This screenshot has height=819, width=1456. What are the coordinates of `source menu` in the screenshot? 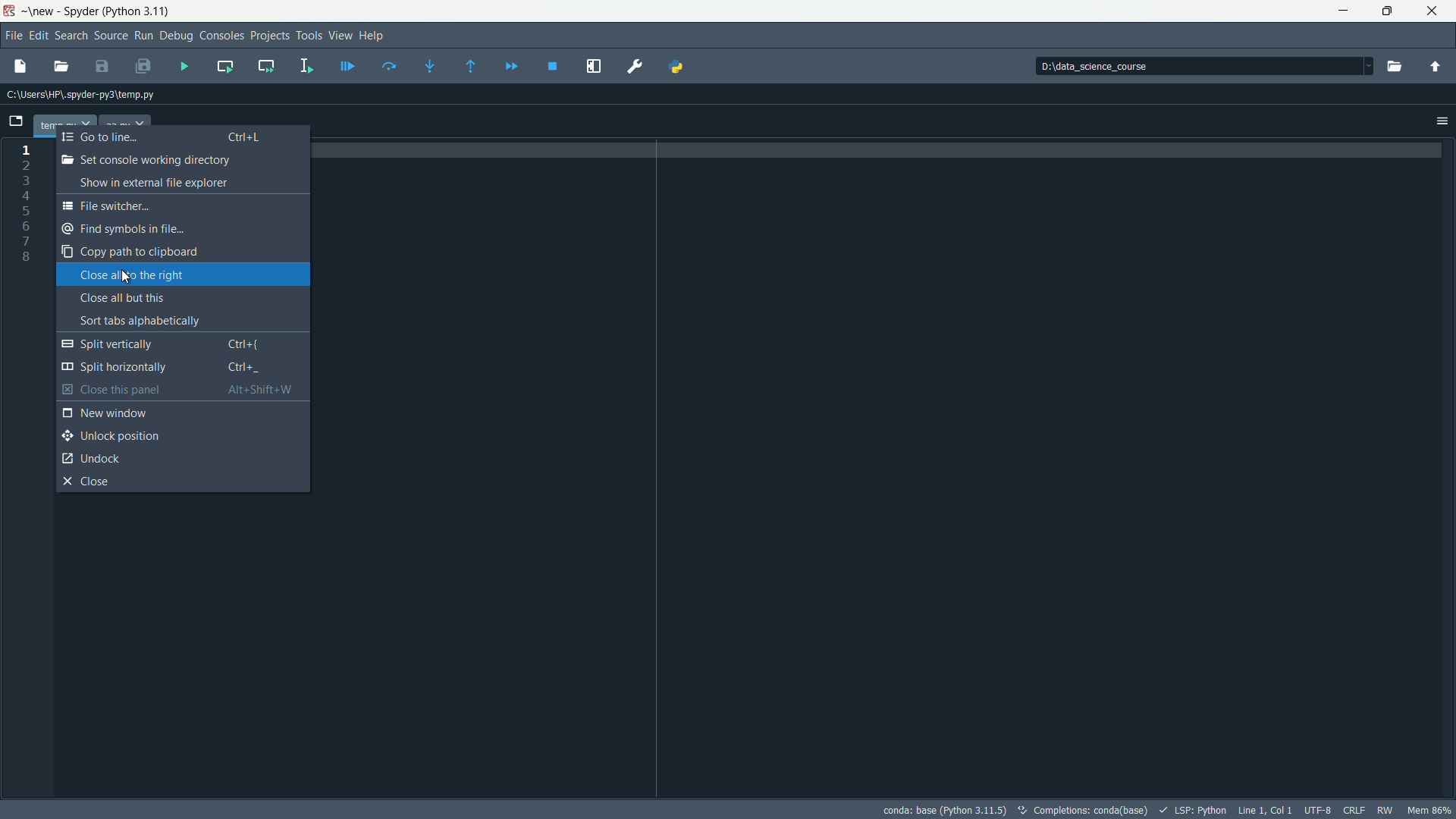 It's located at (111, 36).